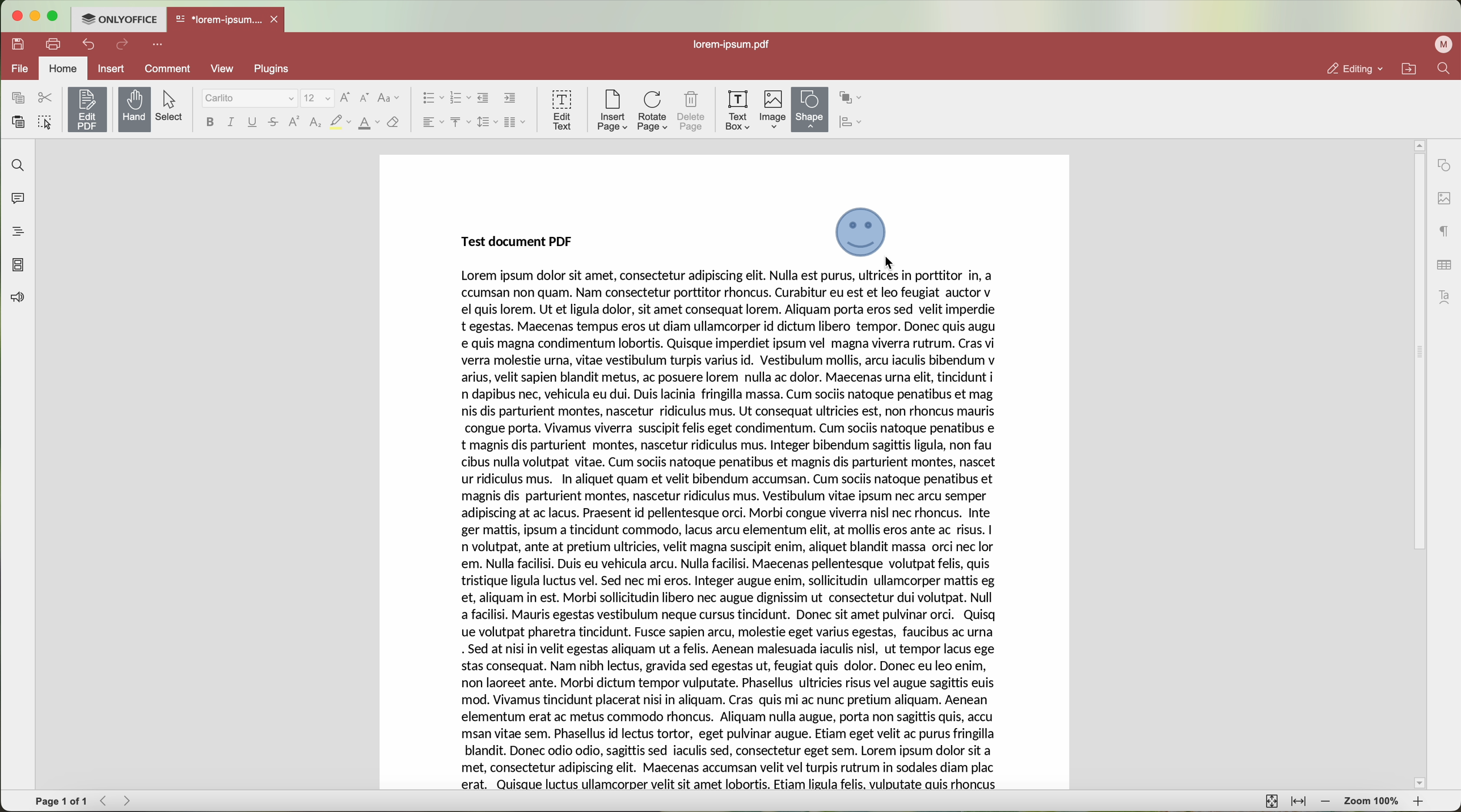  Describe the element at coordinates (17, 201) in the screenshot. I see `comments` at that location.